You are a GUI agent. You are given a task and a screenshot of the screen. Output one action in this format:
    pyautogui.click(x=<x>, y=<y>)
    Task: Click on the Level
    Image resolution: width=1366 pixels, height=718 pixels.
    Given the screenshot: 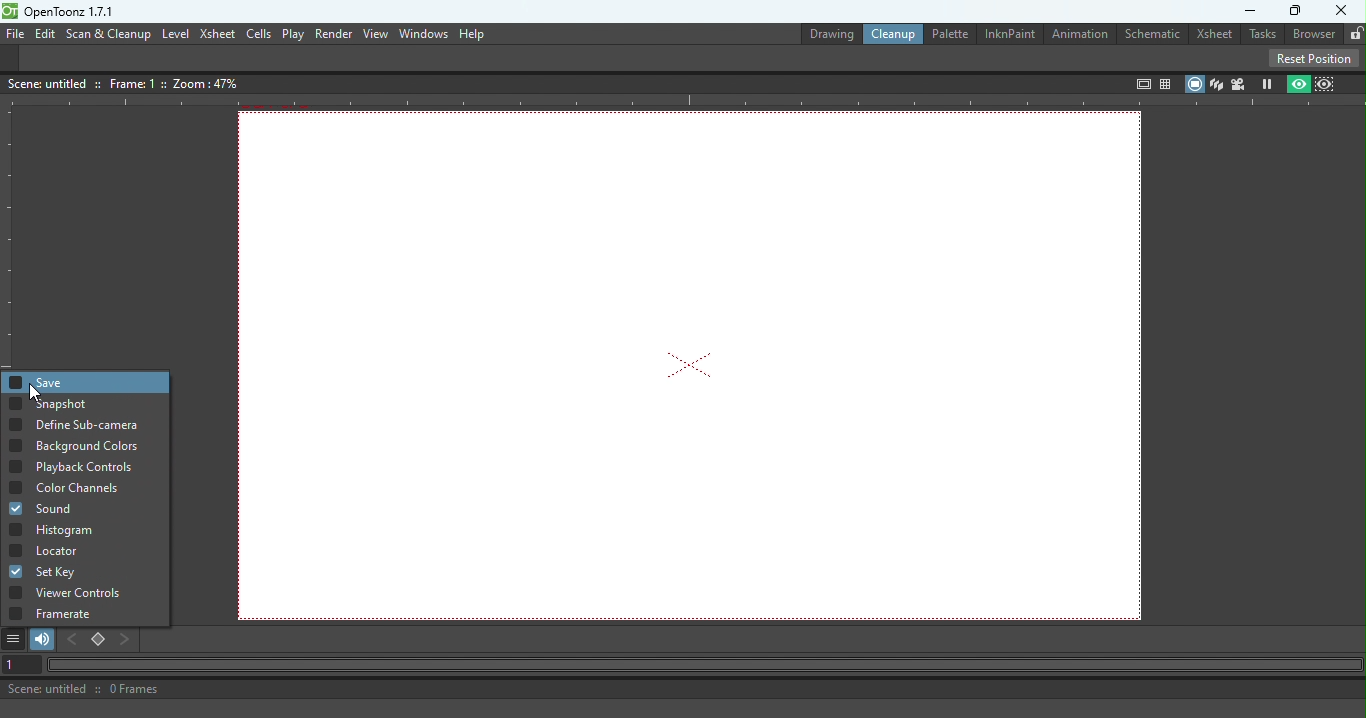 What is the action you would take?
    pyautogui.click(x=176, y=33)
    